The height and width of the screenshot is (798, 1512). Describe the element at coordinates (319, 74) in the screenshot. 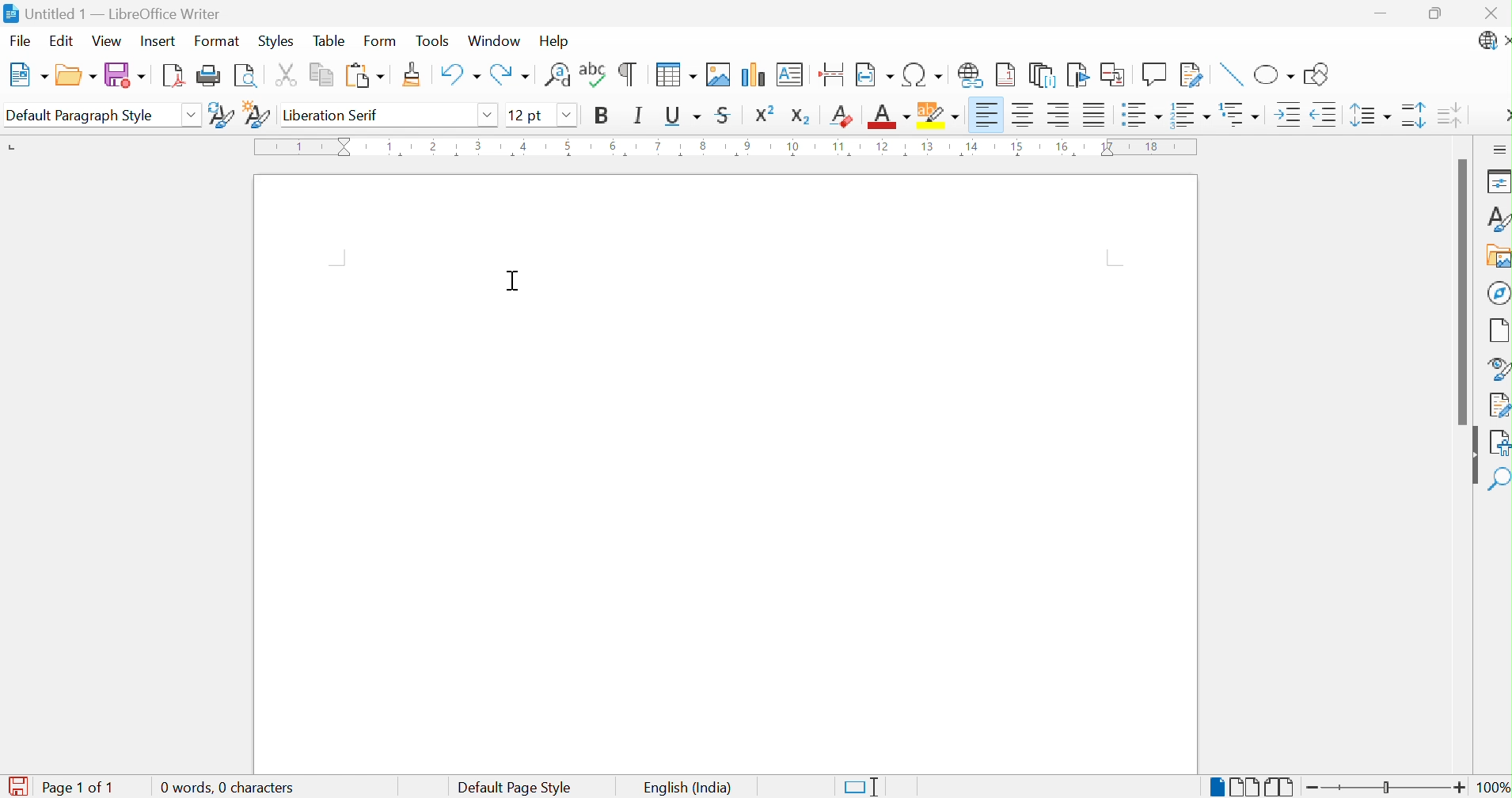

I see `Copy` at that location.